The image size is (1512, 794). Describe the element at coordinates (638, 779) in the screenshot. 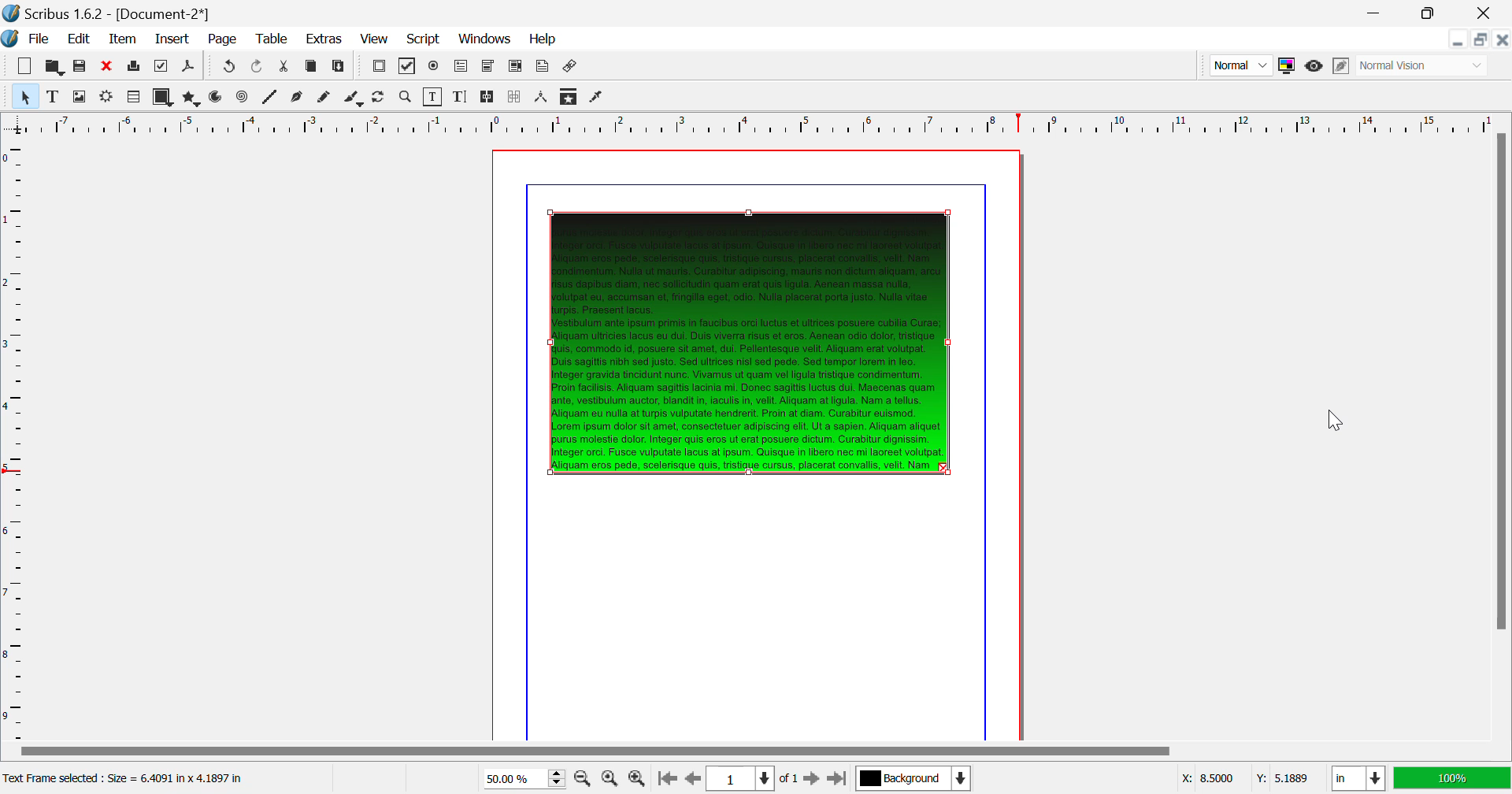

I see `Zoom In` at that location.